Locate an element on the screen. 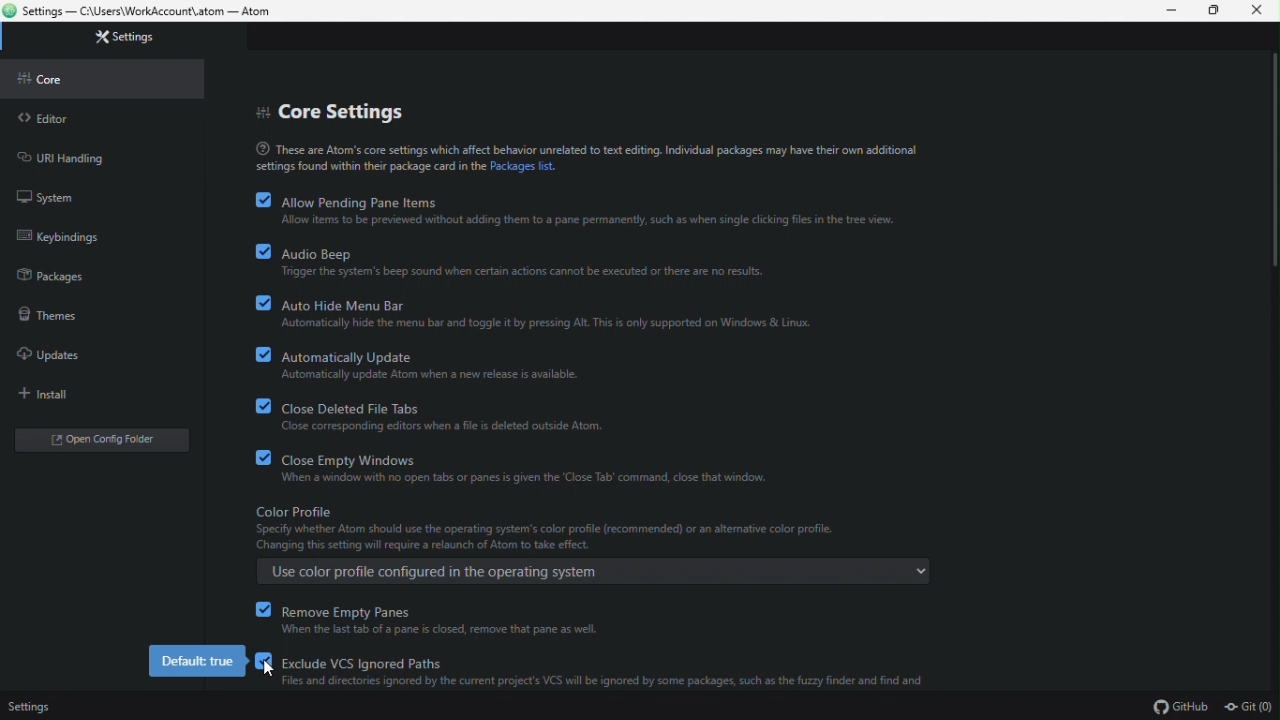 This screenshot has height=720, width=1280. Auto hide menu bar is located at coordinates (599, 314).